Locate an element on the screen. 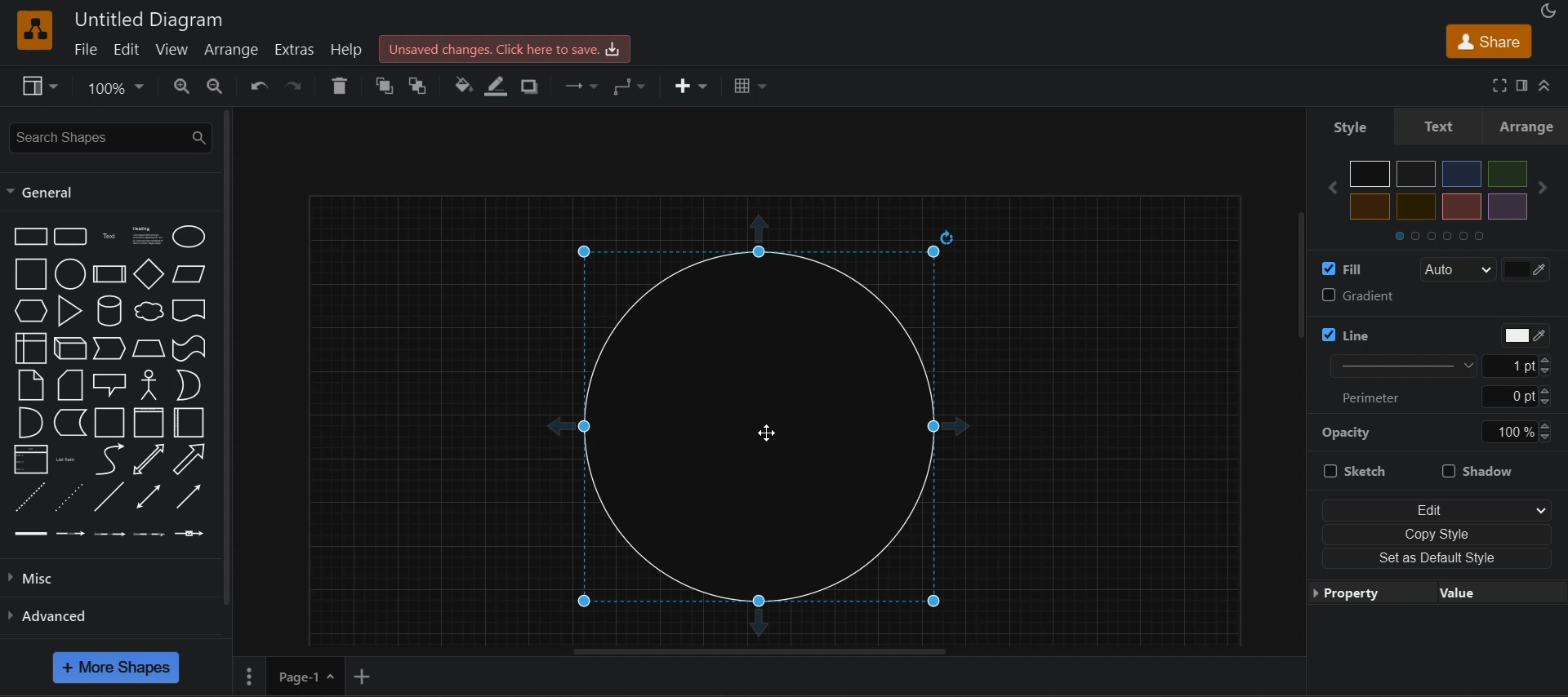 The width and height of the screenshot is (1568, 697). light yellow is located at coordinates (1417, 206).